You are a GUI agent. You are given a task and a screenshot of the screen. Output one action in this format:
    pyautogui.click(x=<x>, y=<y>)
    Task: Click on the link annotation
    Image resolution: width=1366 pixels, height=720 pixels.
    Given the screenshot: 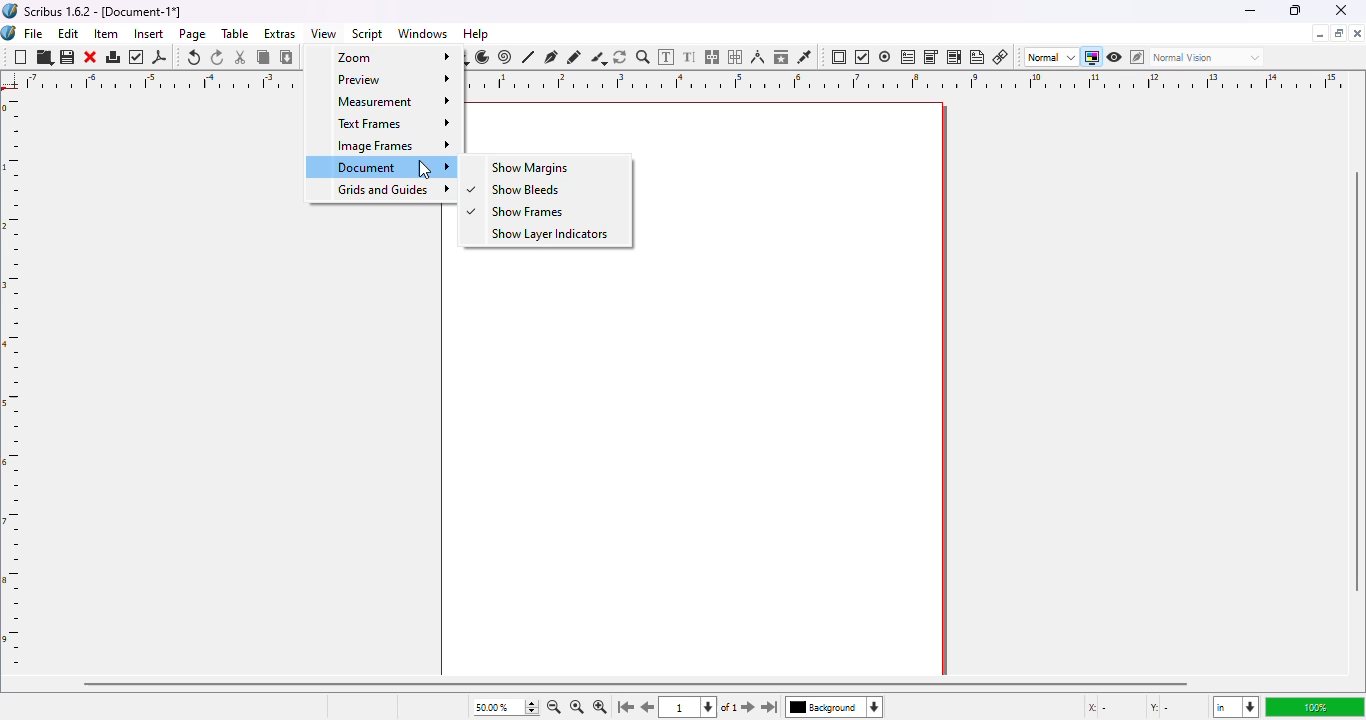 What is the action you would take?
    pyautogui.click(x=1001, y=57)
    